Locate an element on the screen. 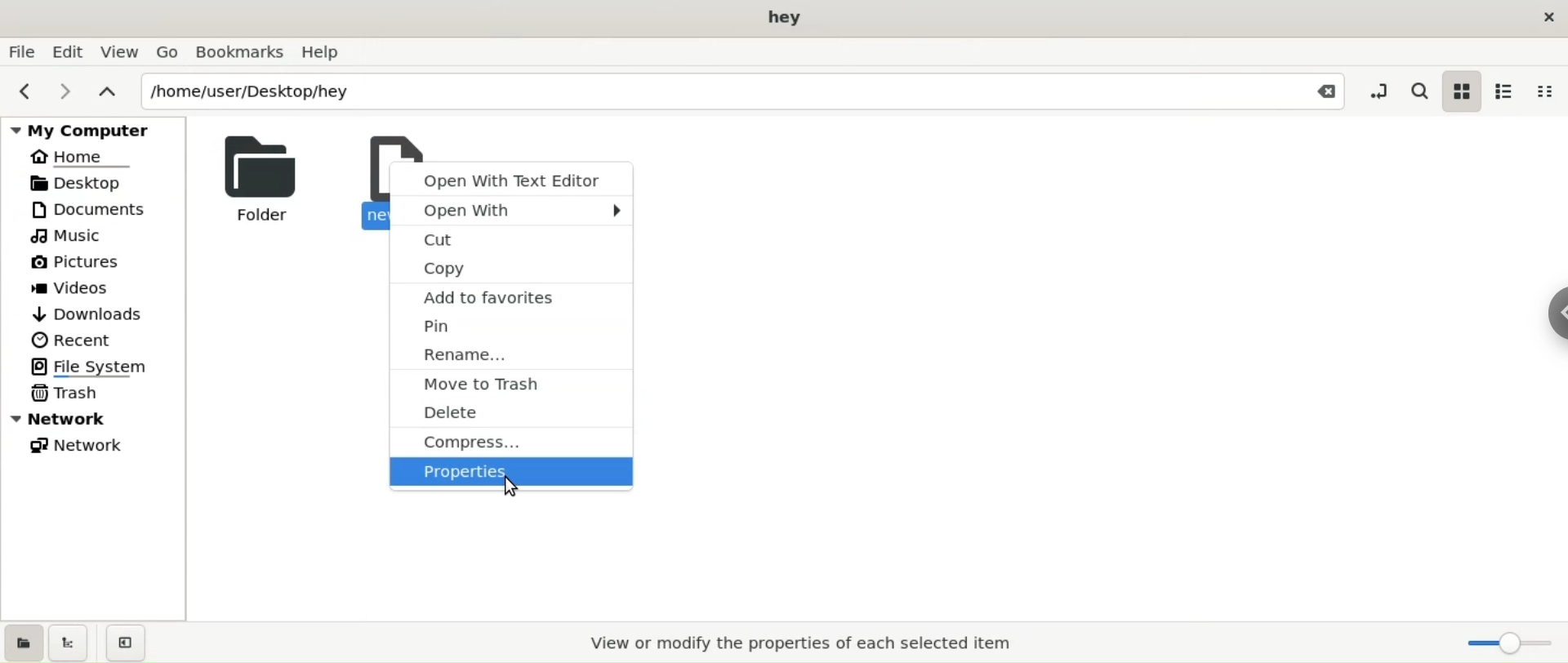  Trash is located at coordinates (67, 394).